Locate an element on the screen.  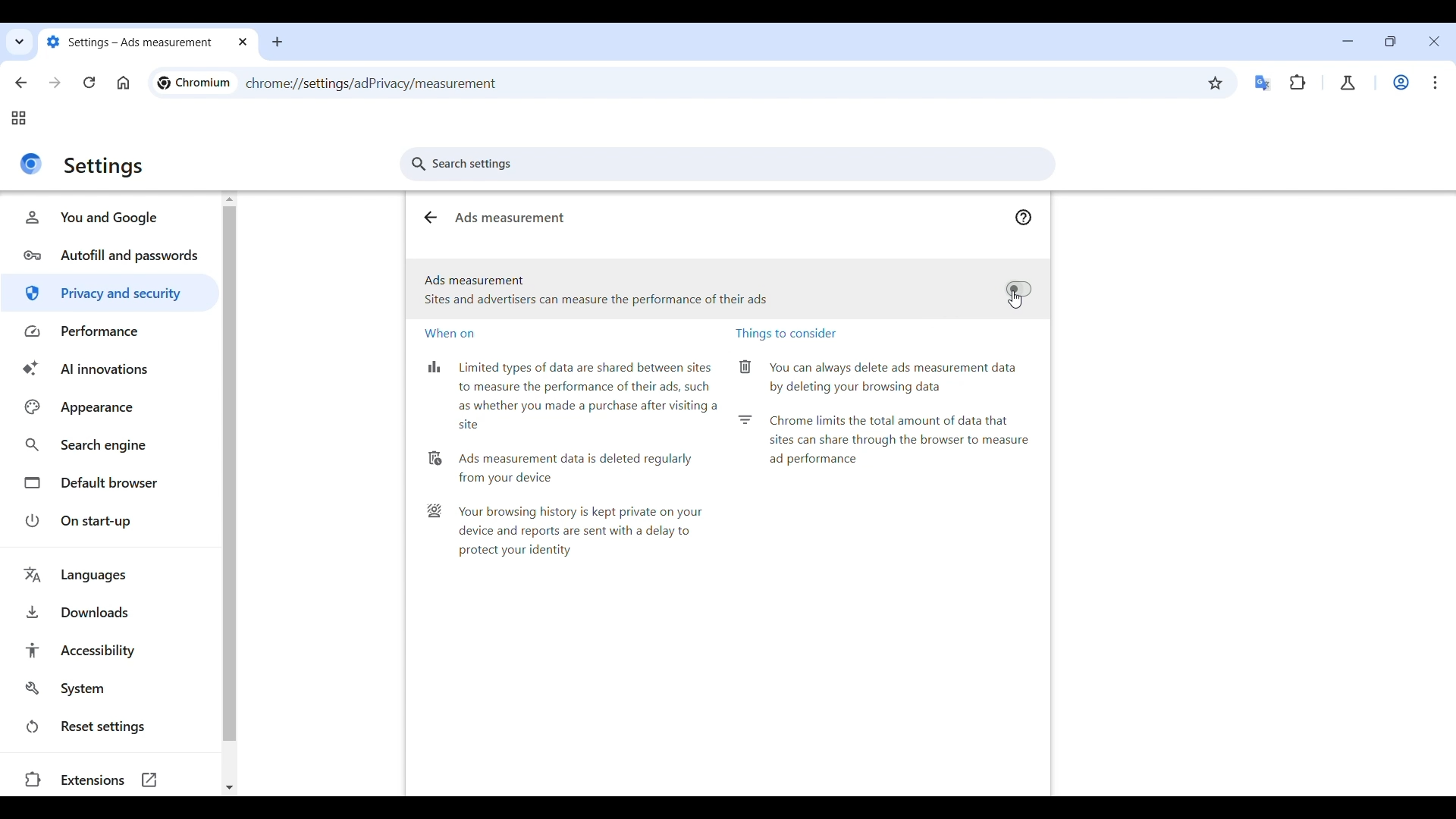
Quick slide to top is located at coordinates (230, 199).